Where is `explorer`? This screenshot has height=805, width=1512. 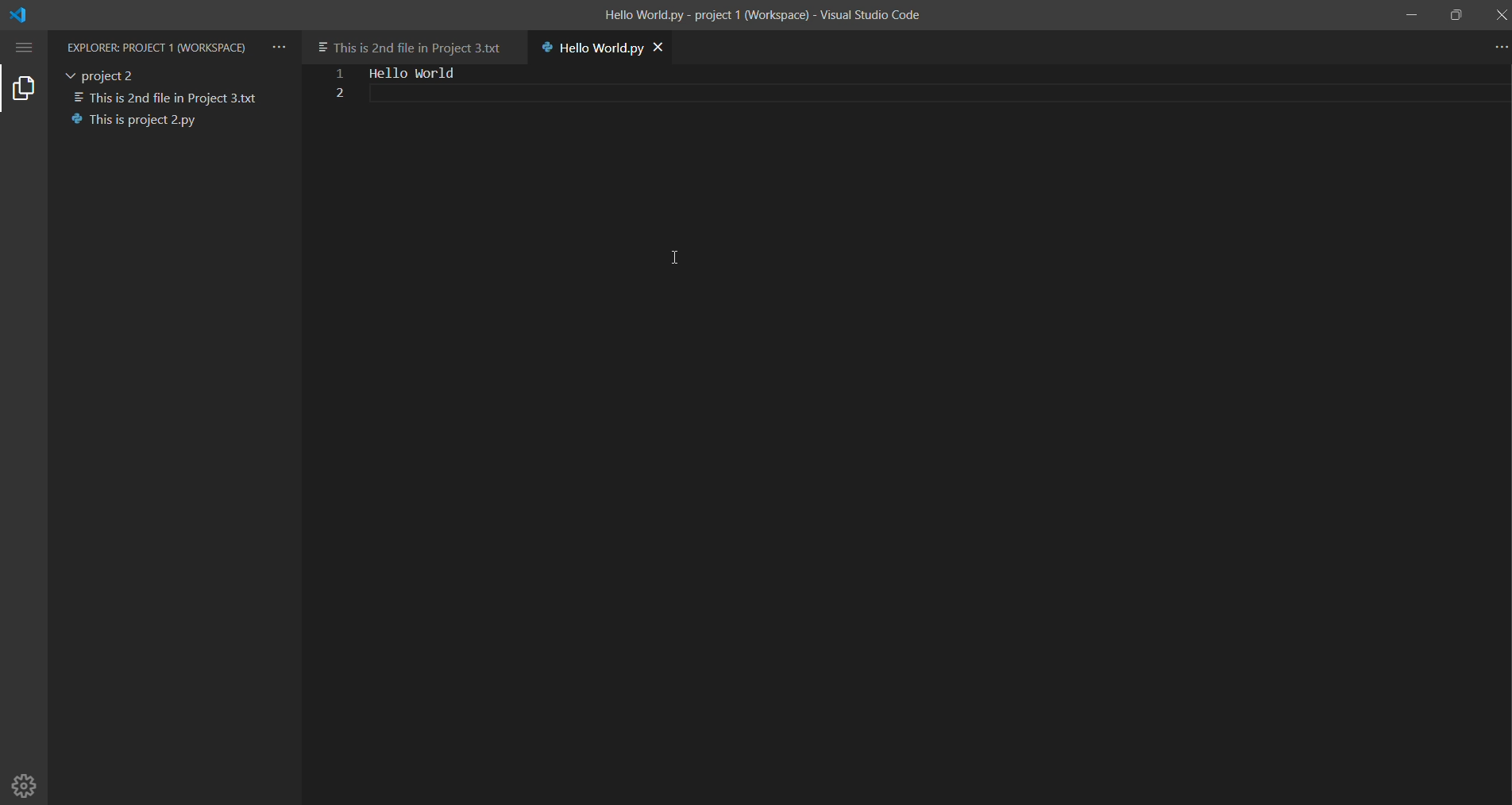 explorer is located at coordinates (25, 90).